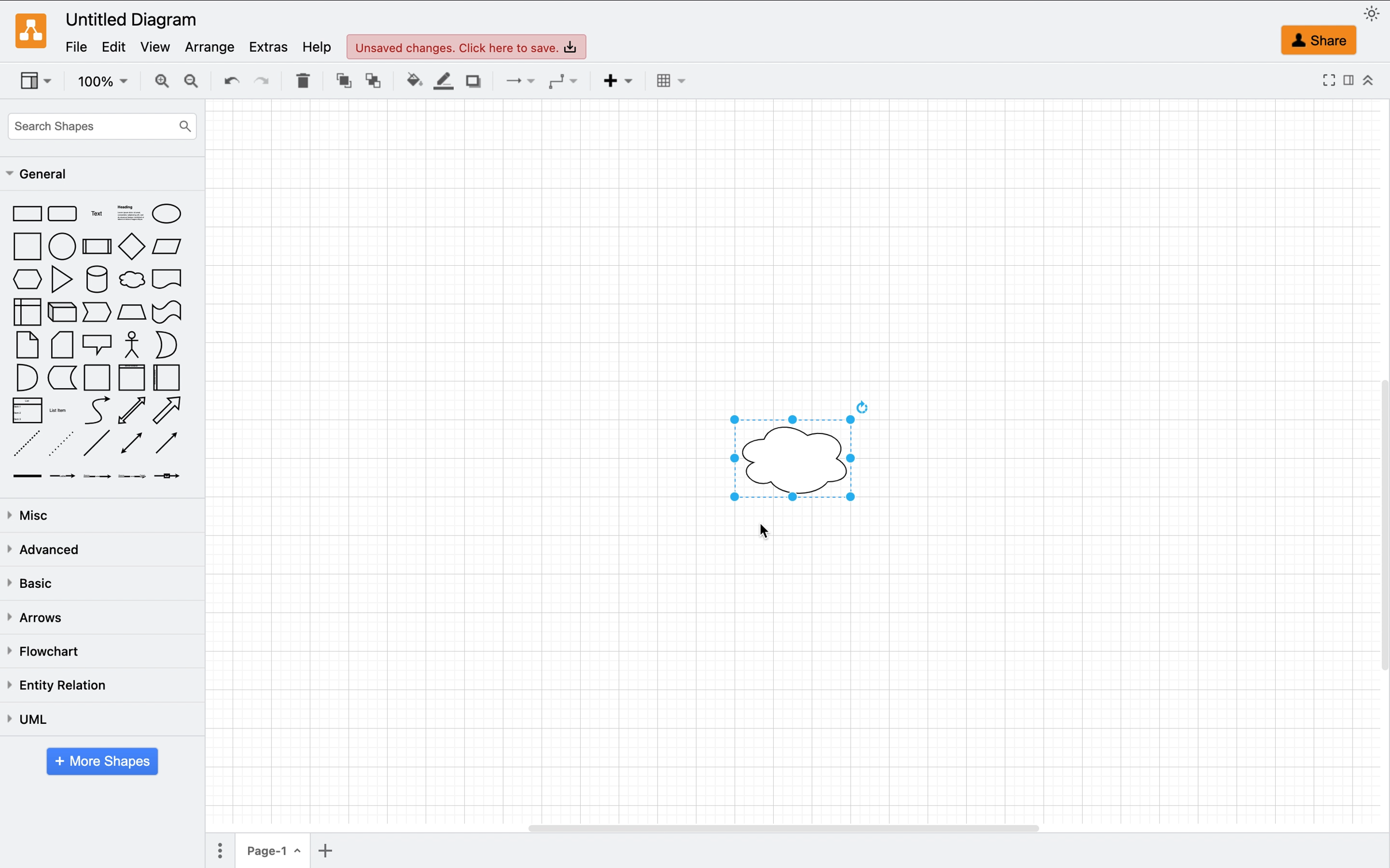  What do you see at coordinates (146, 293) in the screenshot?
I see `cursor` at bounding box center [146, 293].